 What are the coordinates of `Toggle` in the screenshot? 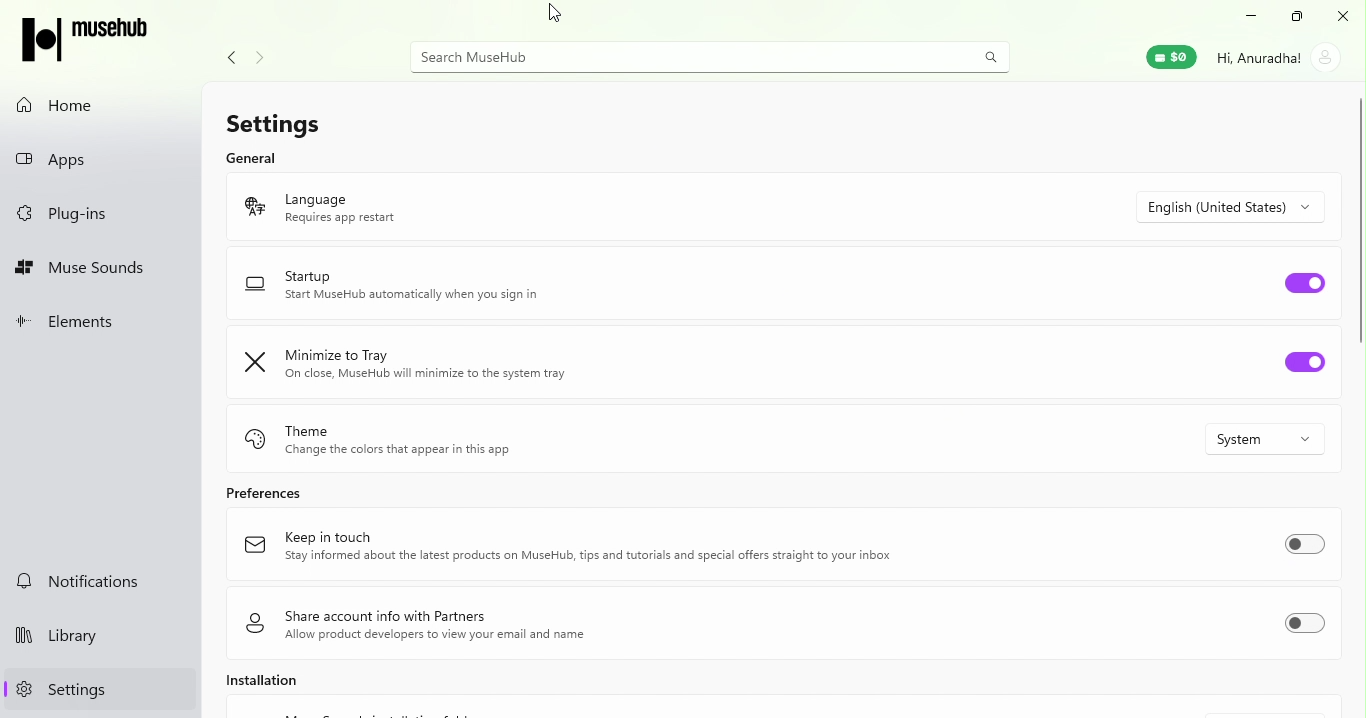 It's located at (1311, 282).